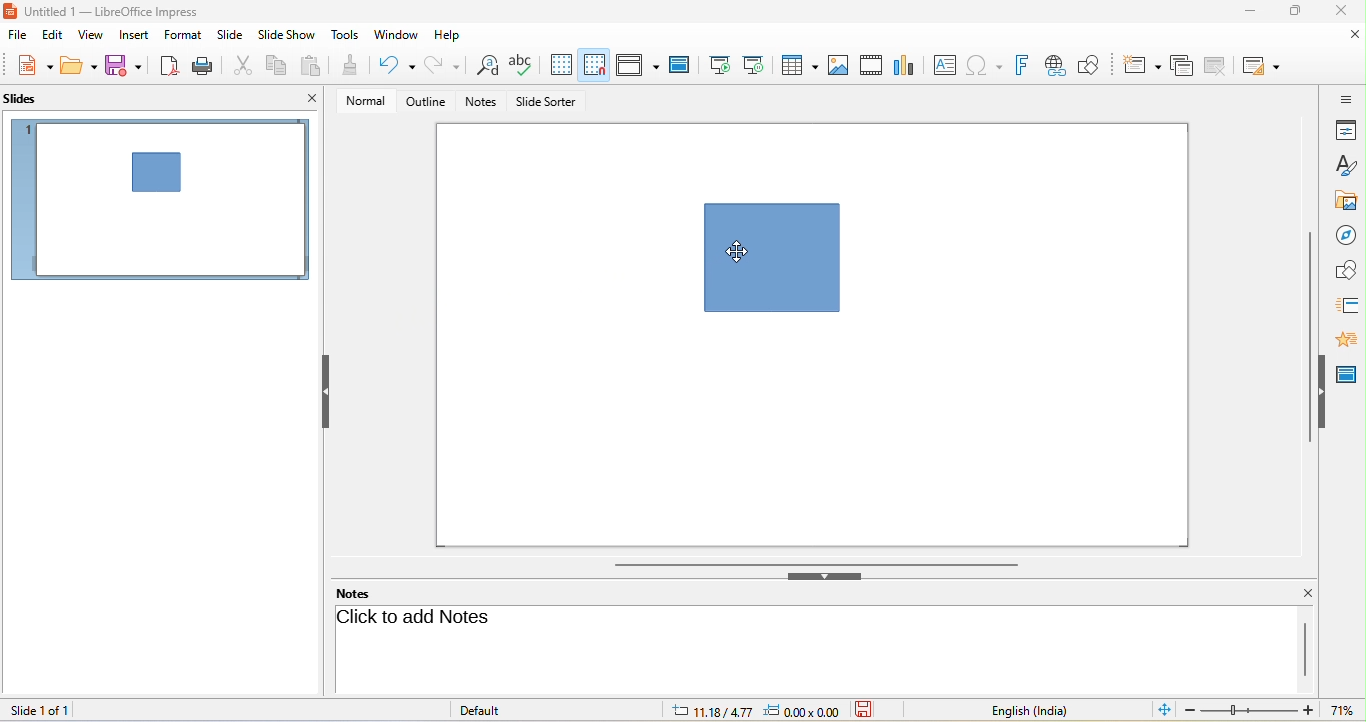 This screenshot has width=1366, height=722. What do you see at coordinates (24, 98) in the screenshot?
I see `slides` at bounding box center [24, 98].